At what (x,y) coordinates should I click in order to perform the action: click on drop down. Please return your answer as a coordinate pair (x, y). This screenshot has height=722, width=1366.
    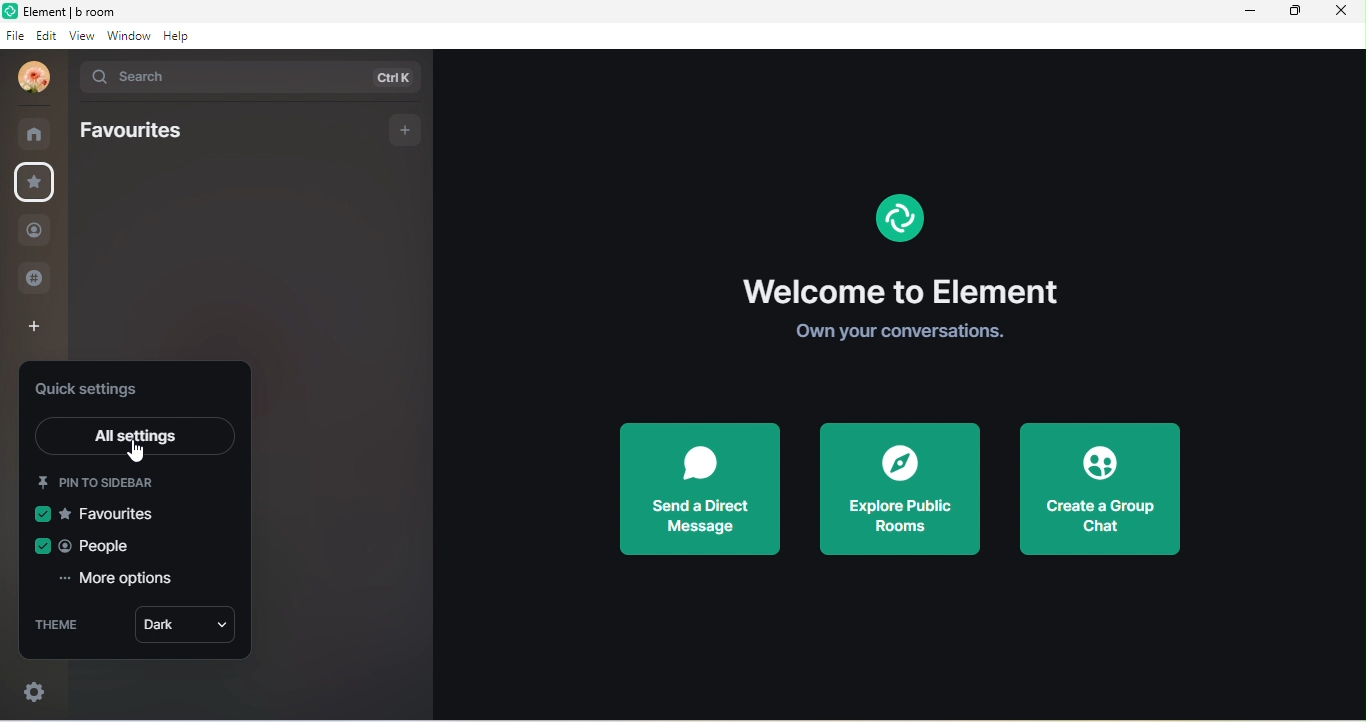
    Looking at the image, I should click on (69, 79).